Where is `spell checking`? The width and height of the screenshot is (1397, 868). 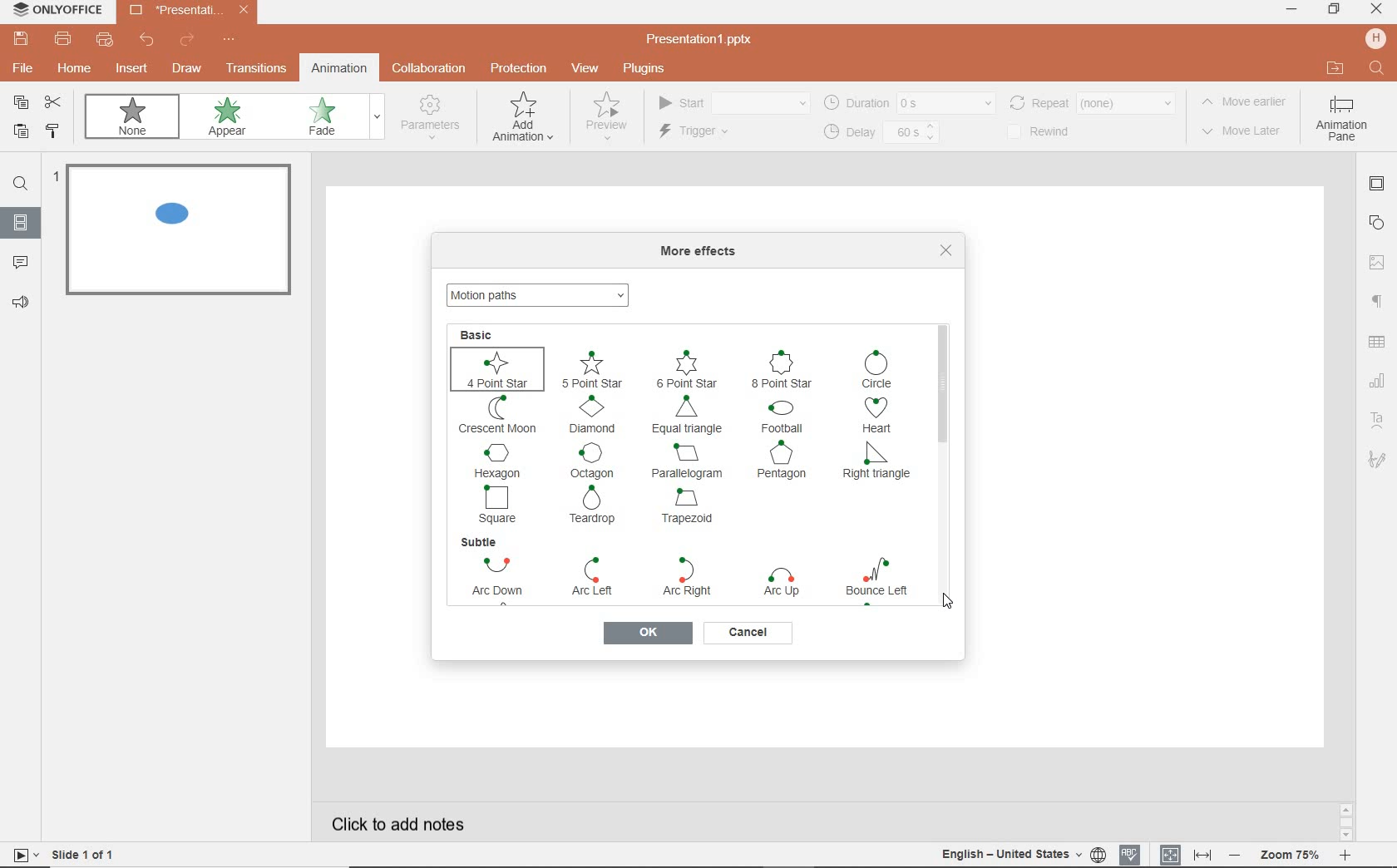
spell checking is located at coordinates (1128, 854).